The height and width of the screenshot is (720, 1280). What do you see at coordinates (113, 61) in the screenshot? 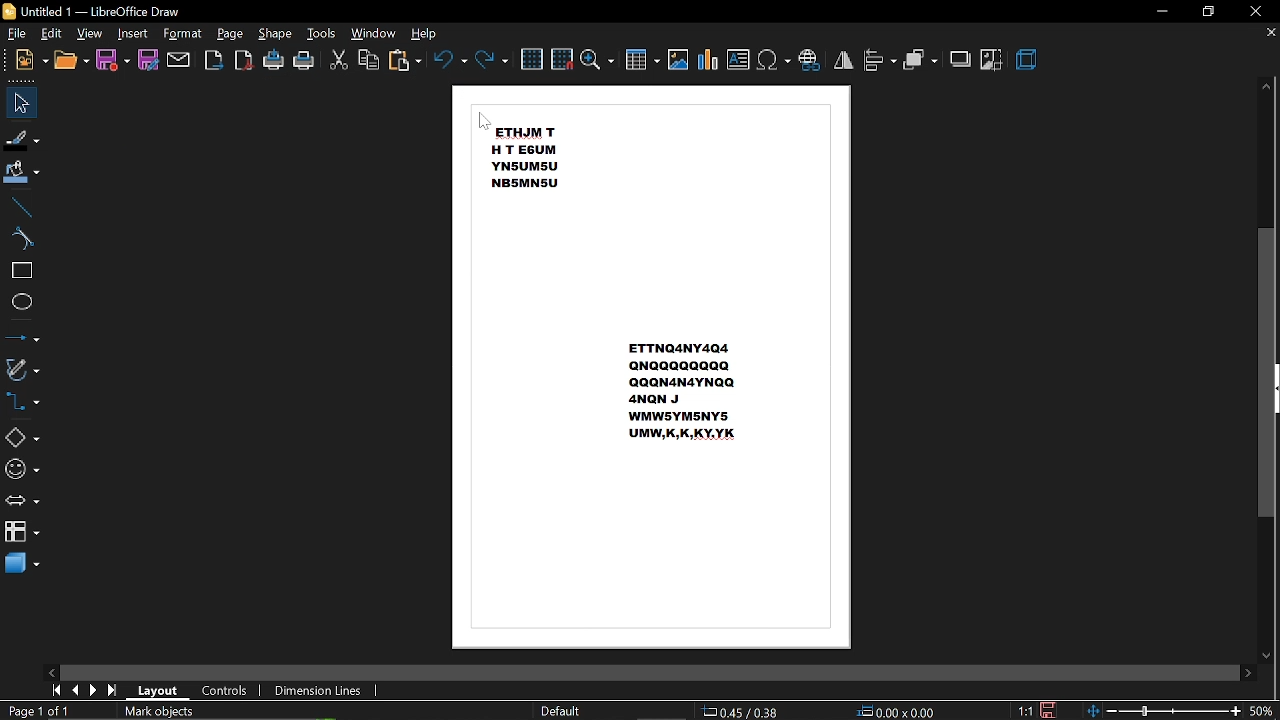
I see `save ` at bounding box center [113, 61].